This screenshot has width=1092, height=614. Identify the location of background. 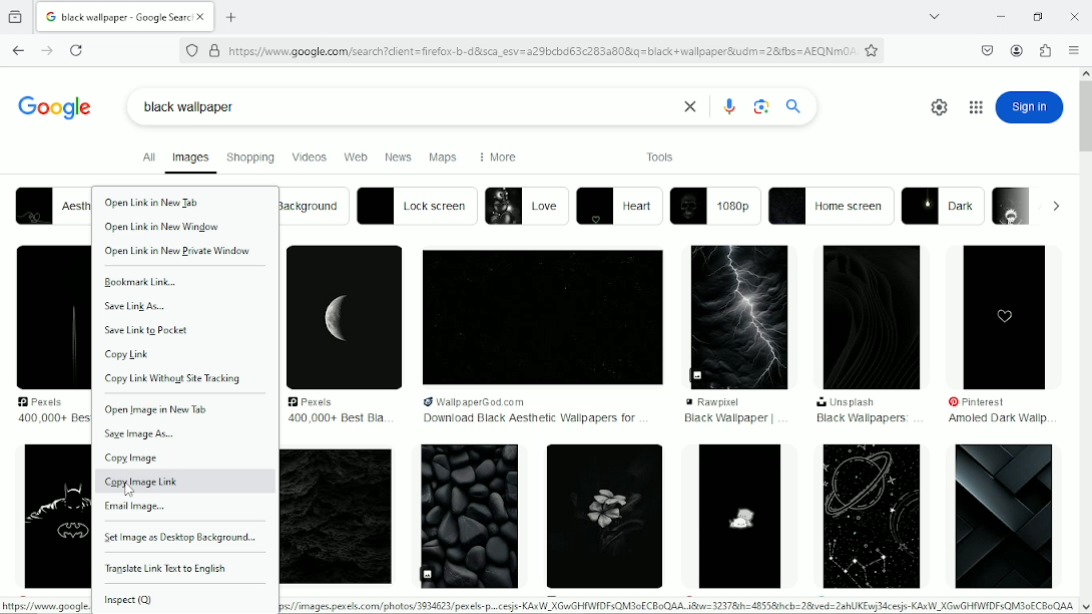
(314, 206).